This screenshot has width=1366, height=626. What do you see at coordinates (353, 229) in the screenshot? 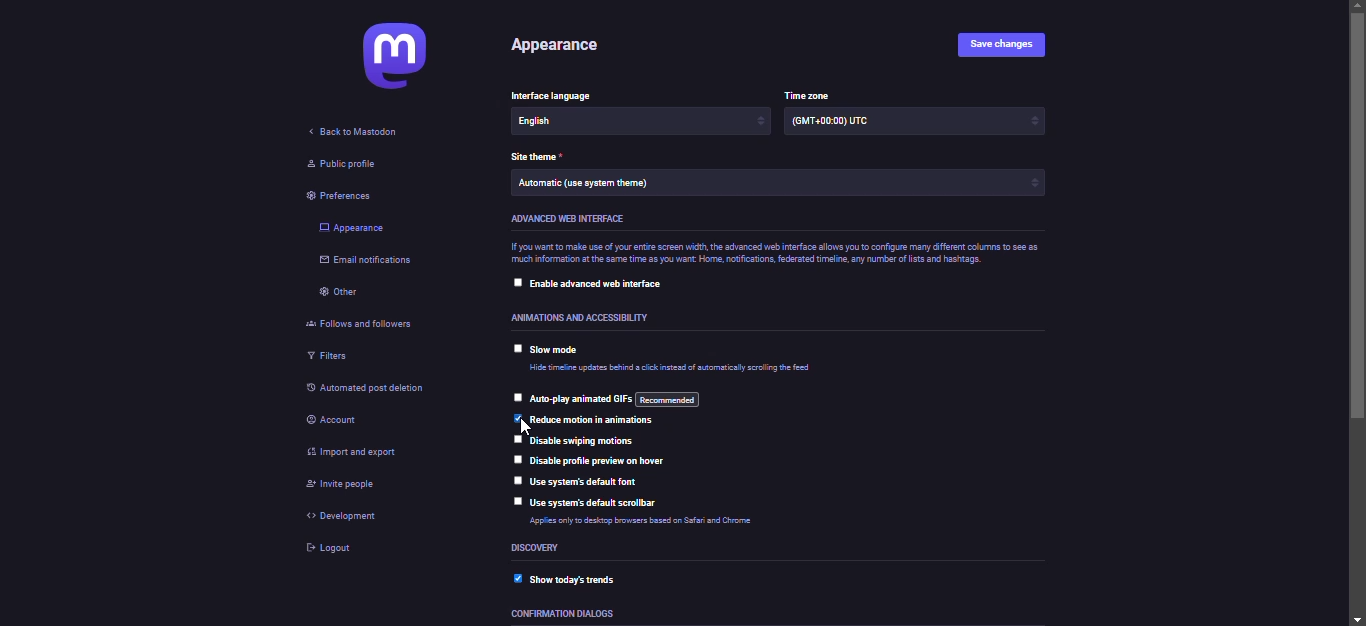
I see `appearance` at bounding box center [353, 229].